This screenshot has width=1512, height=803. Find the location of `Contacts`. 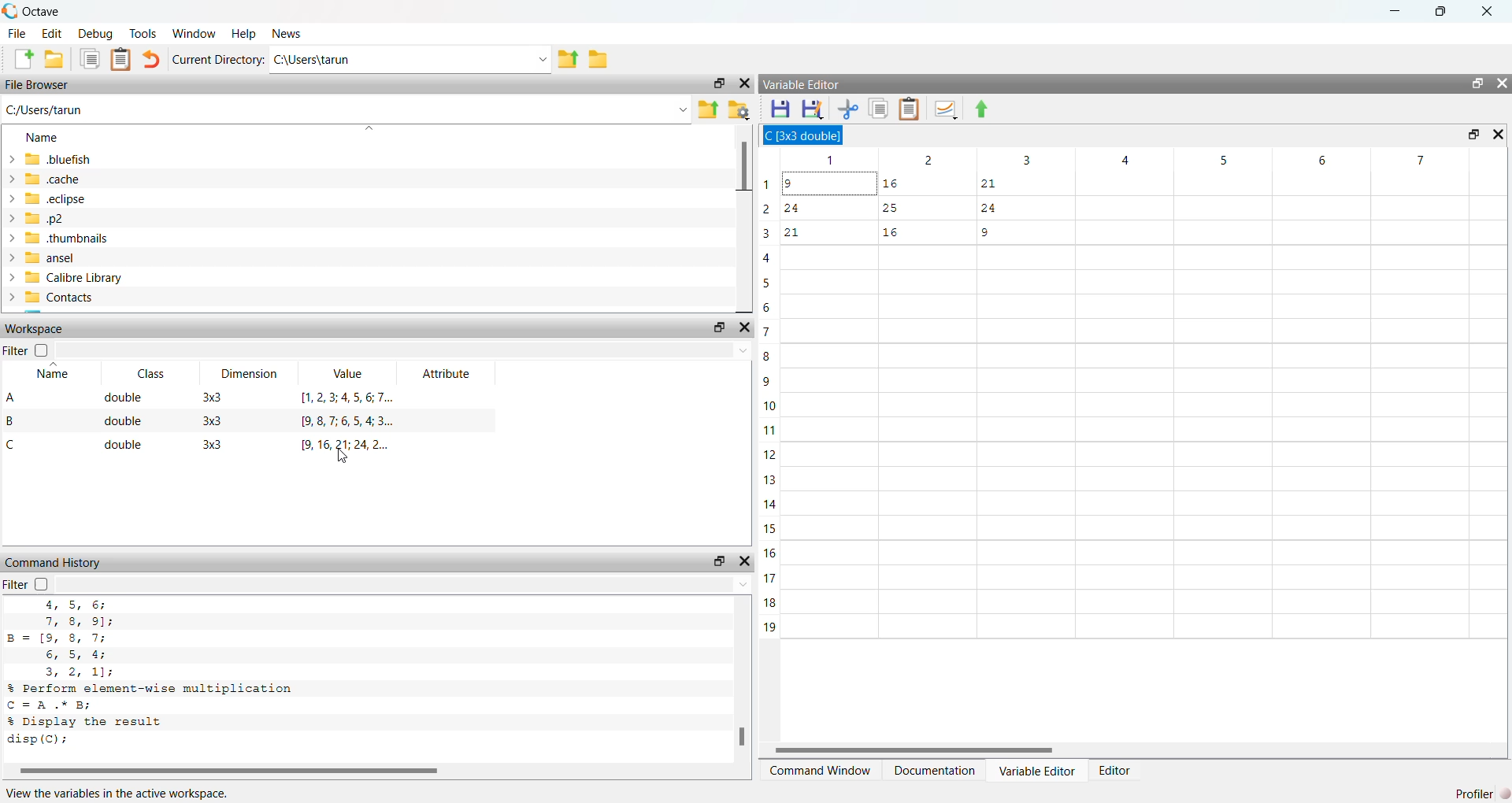

Contacts is located at coordinates (52, 298).